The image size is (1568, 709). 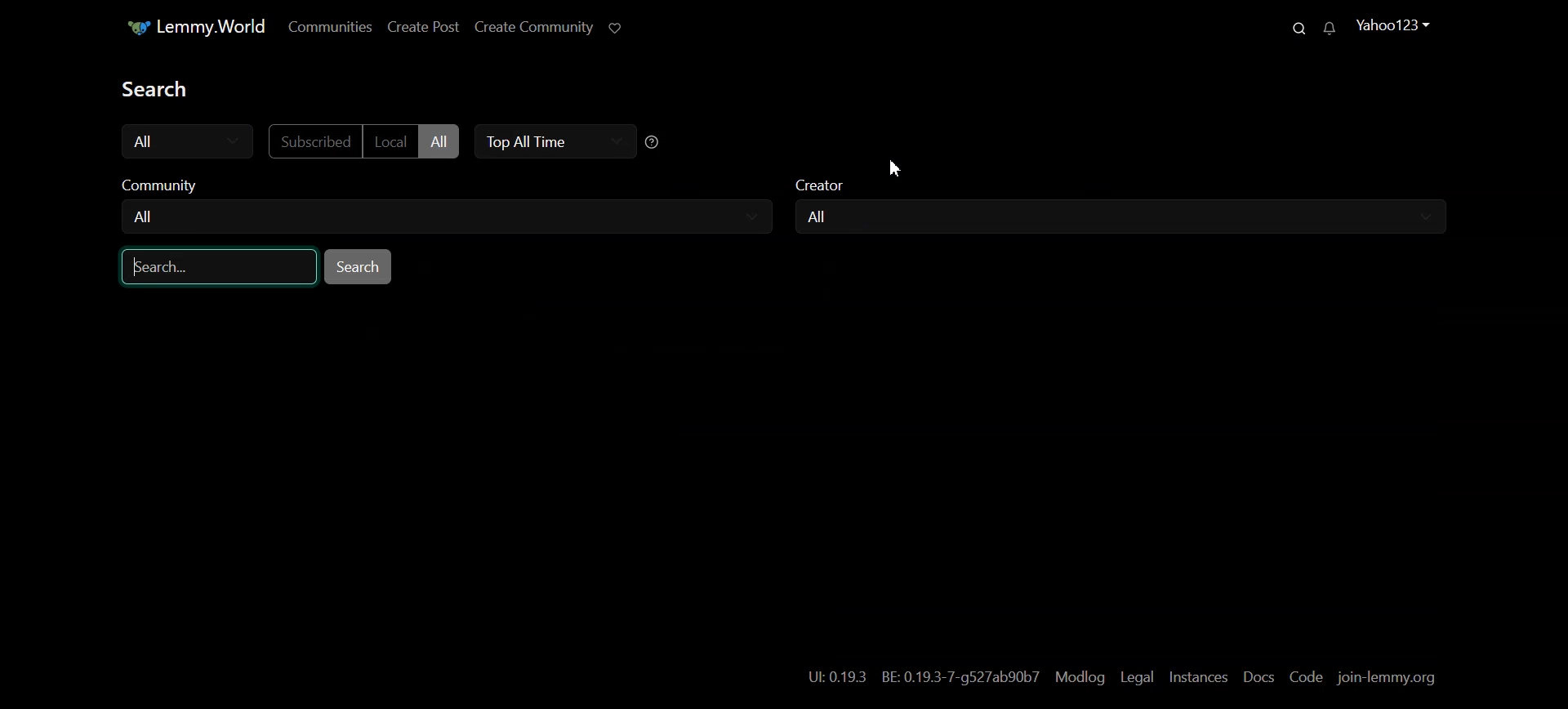 What do you see at coordinates (653, 141) in the screenshot?
I see `Sorting Help` at bounding box center [653, 141].